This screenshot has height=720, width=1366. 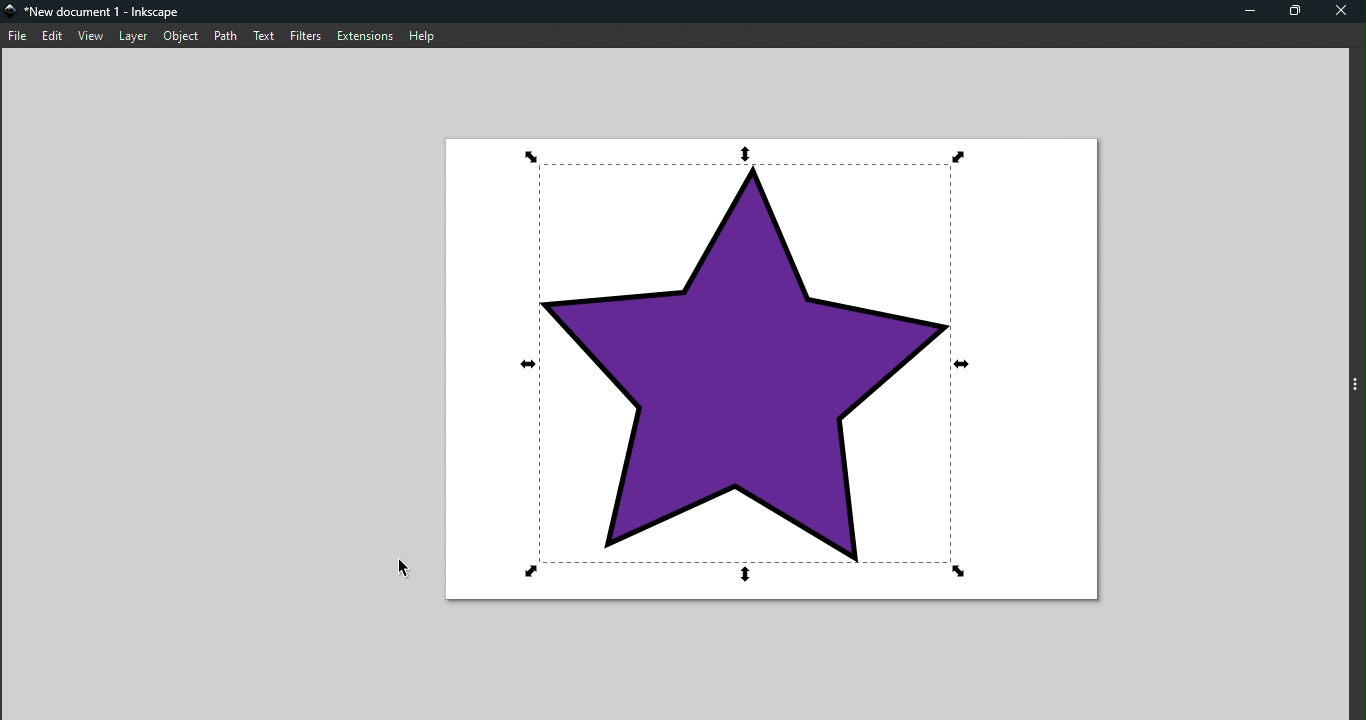 What do you see at coordinates (263, 36) in the screenshot?
I see `Text` at bounding box center [263, 36].